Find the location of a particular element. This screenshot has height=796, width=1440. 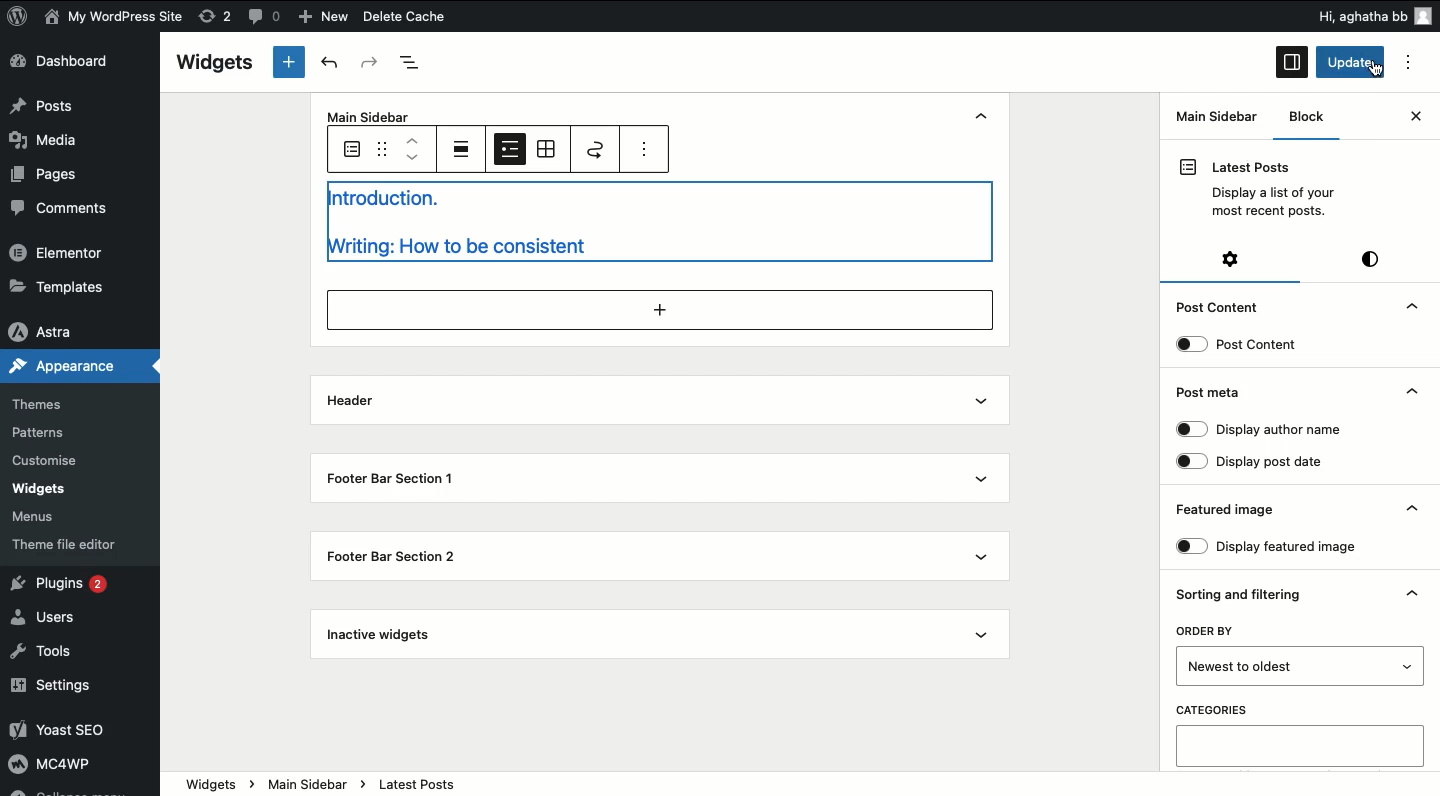

MC4wp is located at coordinates (64, 767).